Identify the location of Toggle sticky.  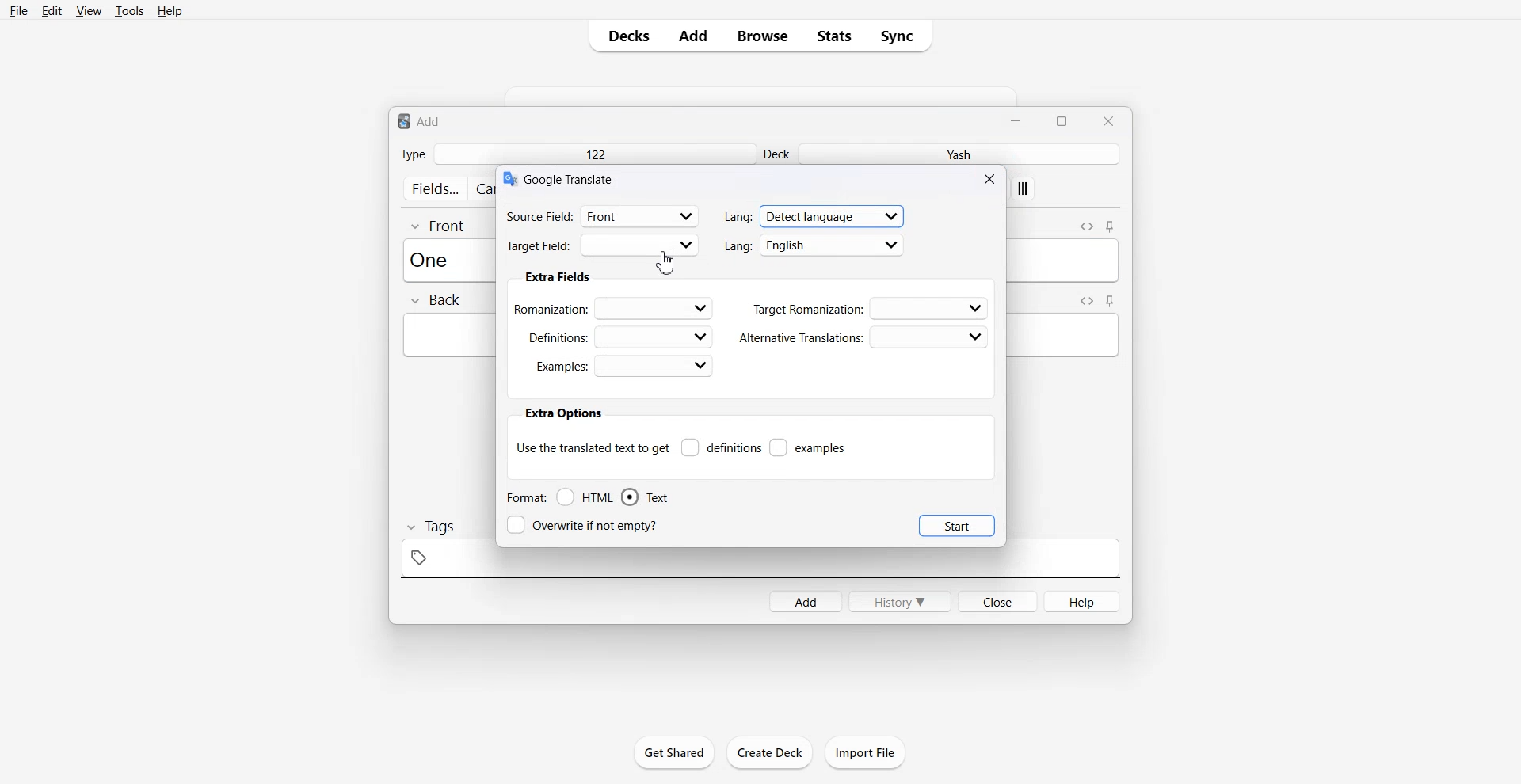
(1111, 301).